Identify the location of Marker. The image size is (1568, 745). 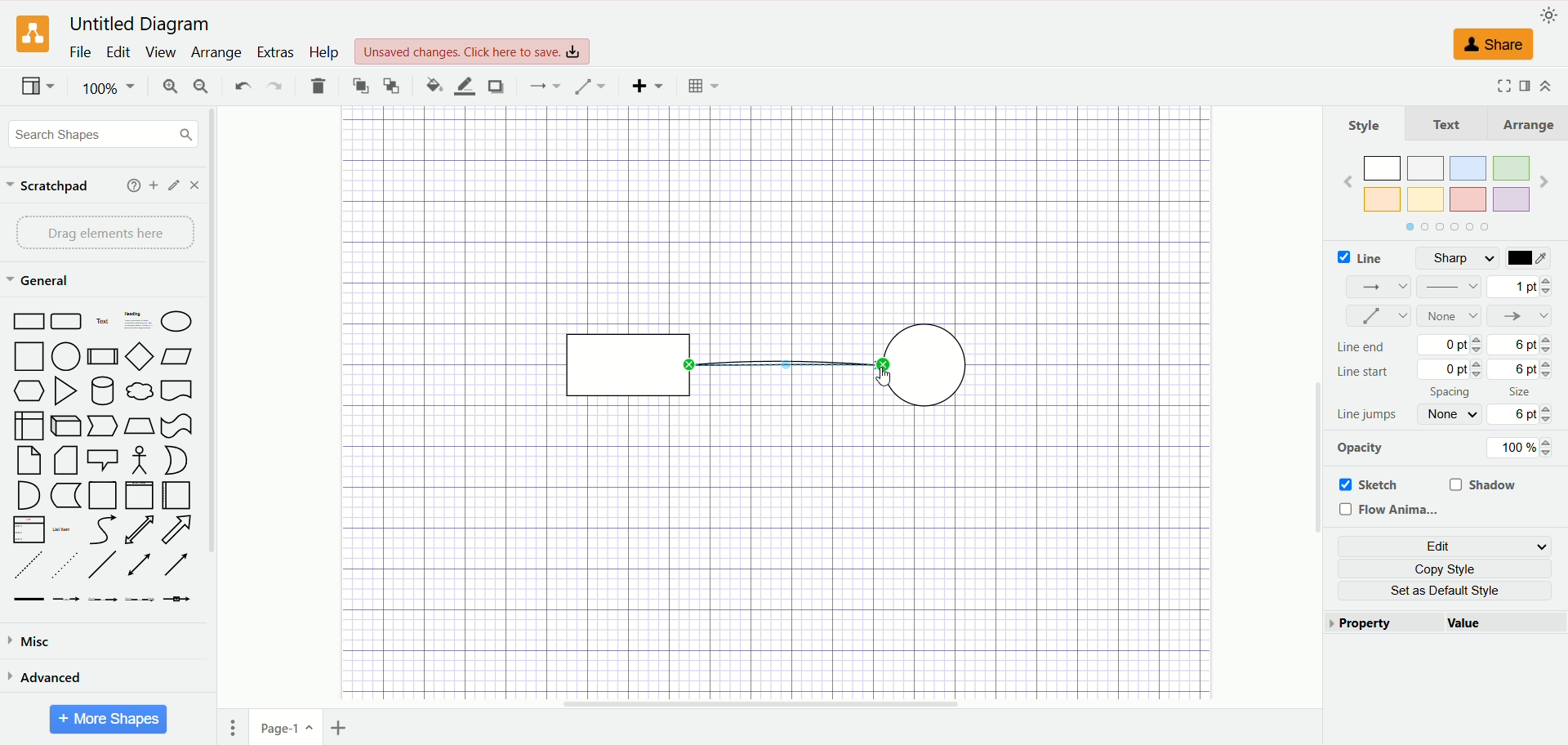
(65, 497).